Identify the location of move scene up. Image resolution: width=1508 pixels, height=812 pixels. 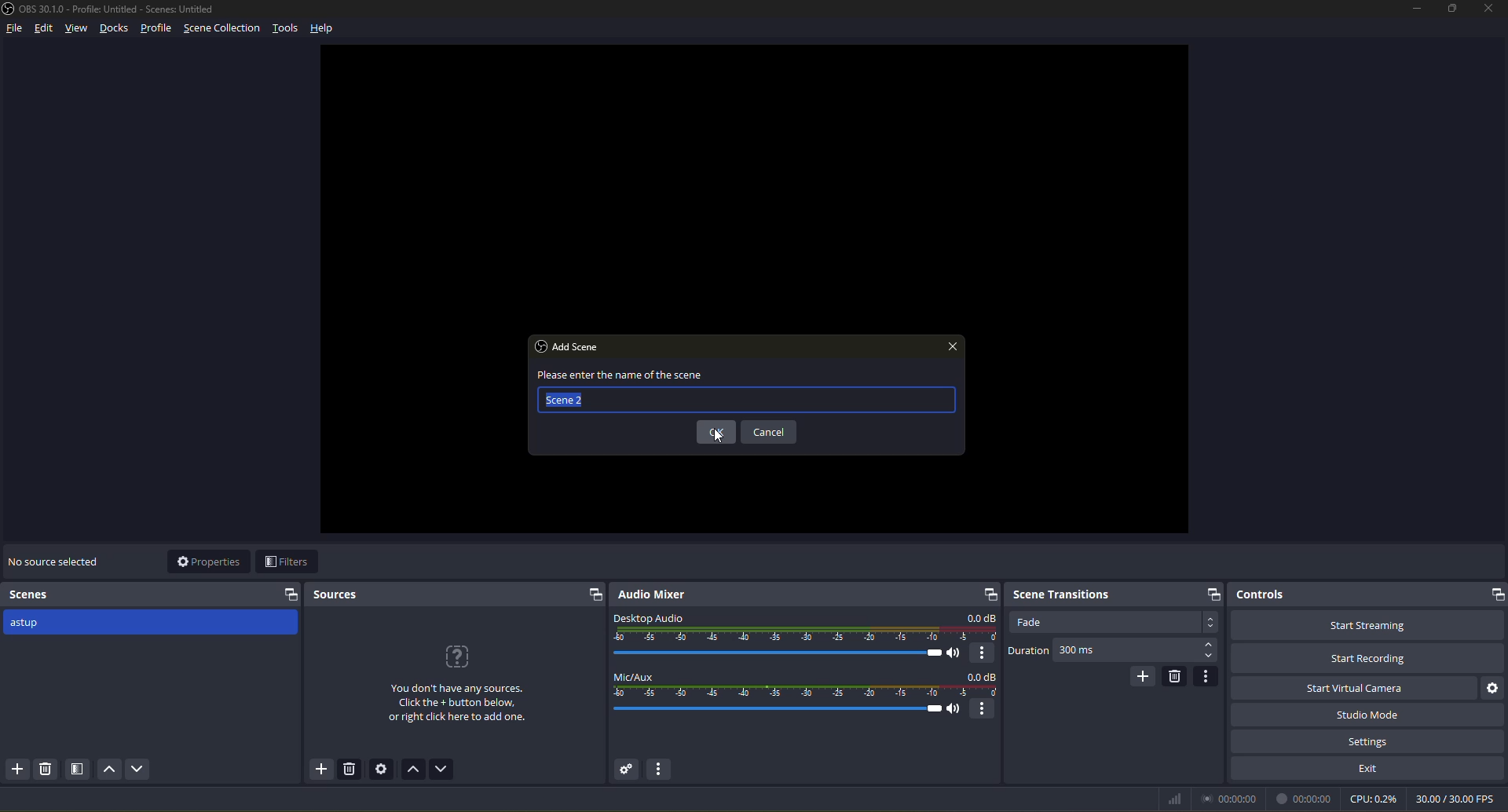
(109, 768).